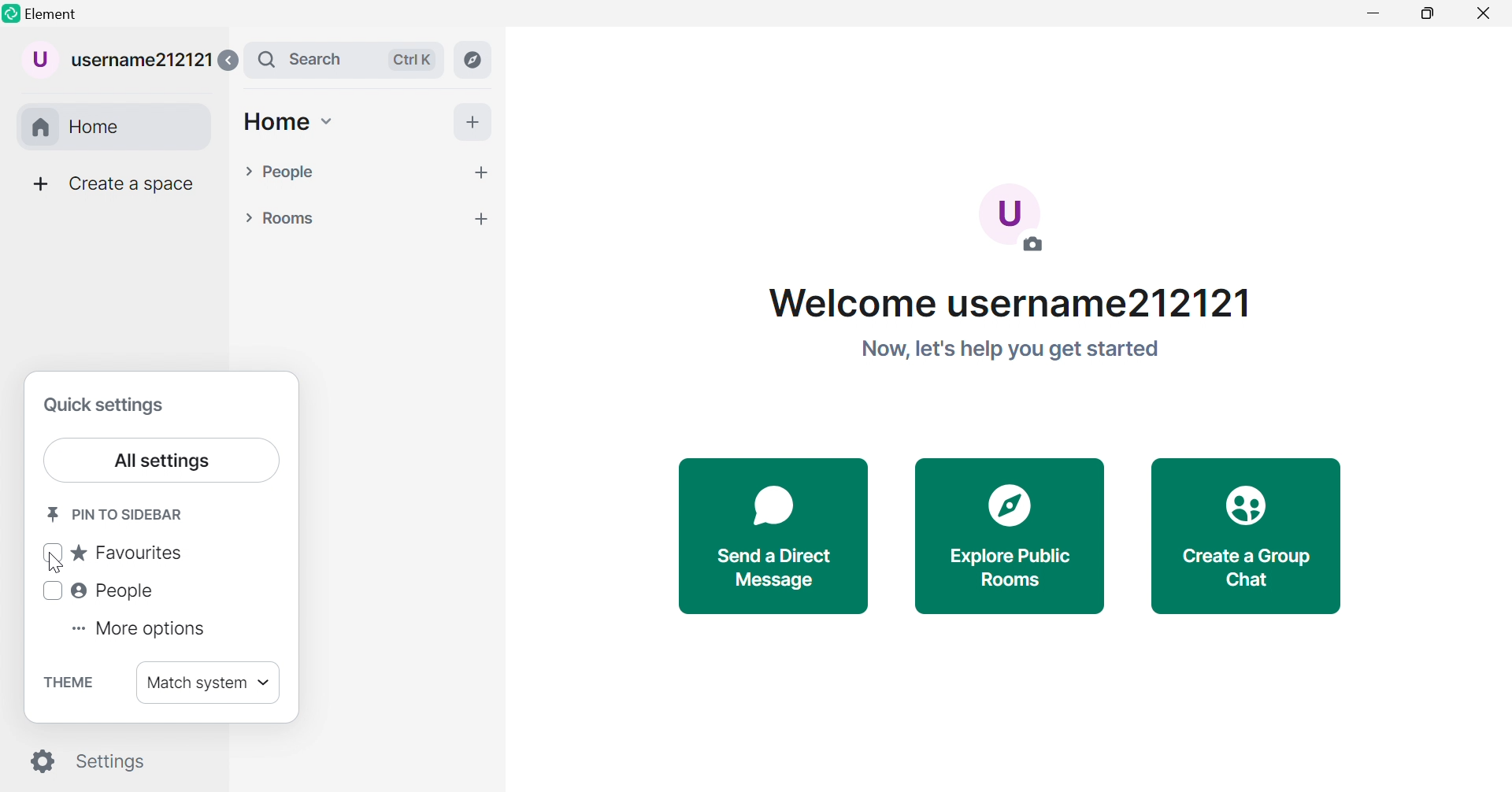 This screenshot has width=1512, height=792. What do you see at coordinates (343, 60) in the screenshot?
I see `Search bar` at bounding box center [343, 60].